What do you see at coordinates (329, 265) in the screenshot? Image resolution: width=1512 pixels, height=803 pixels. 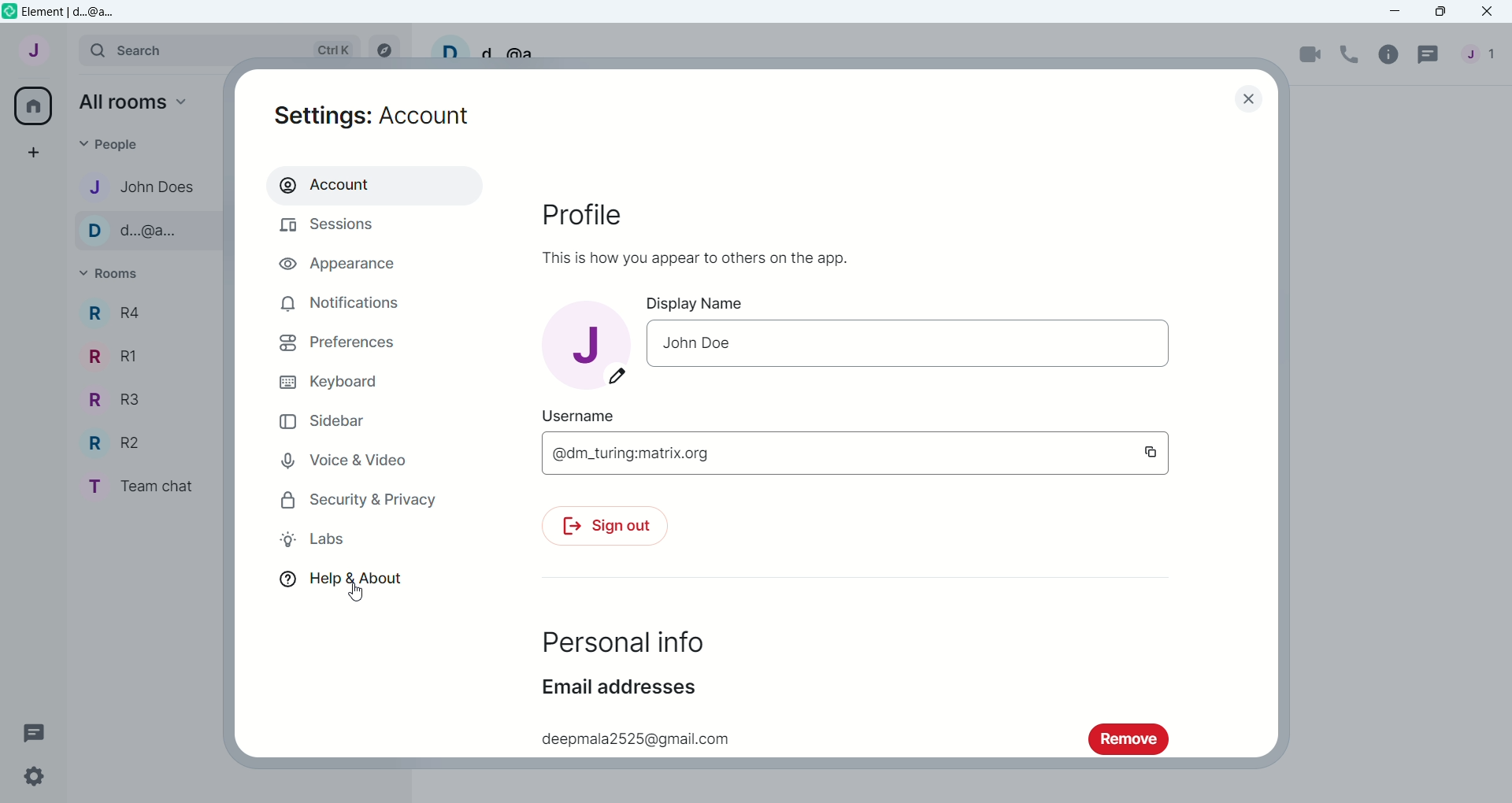 I see `Appearance` at bounding box center [329, 265].